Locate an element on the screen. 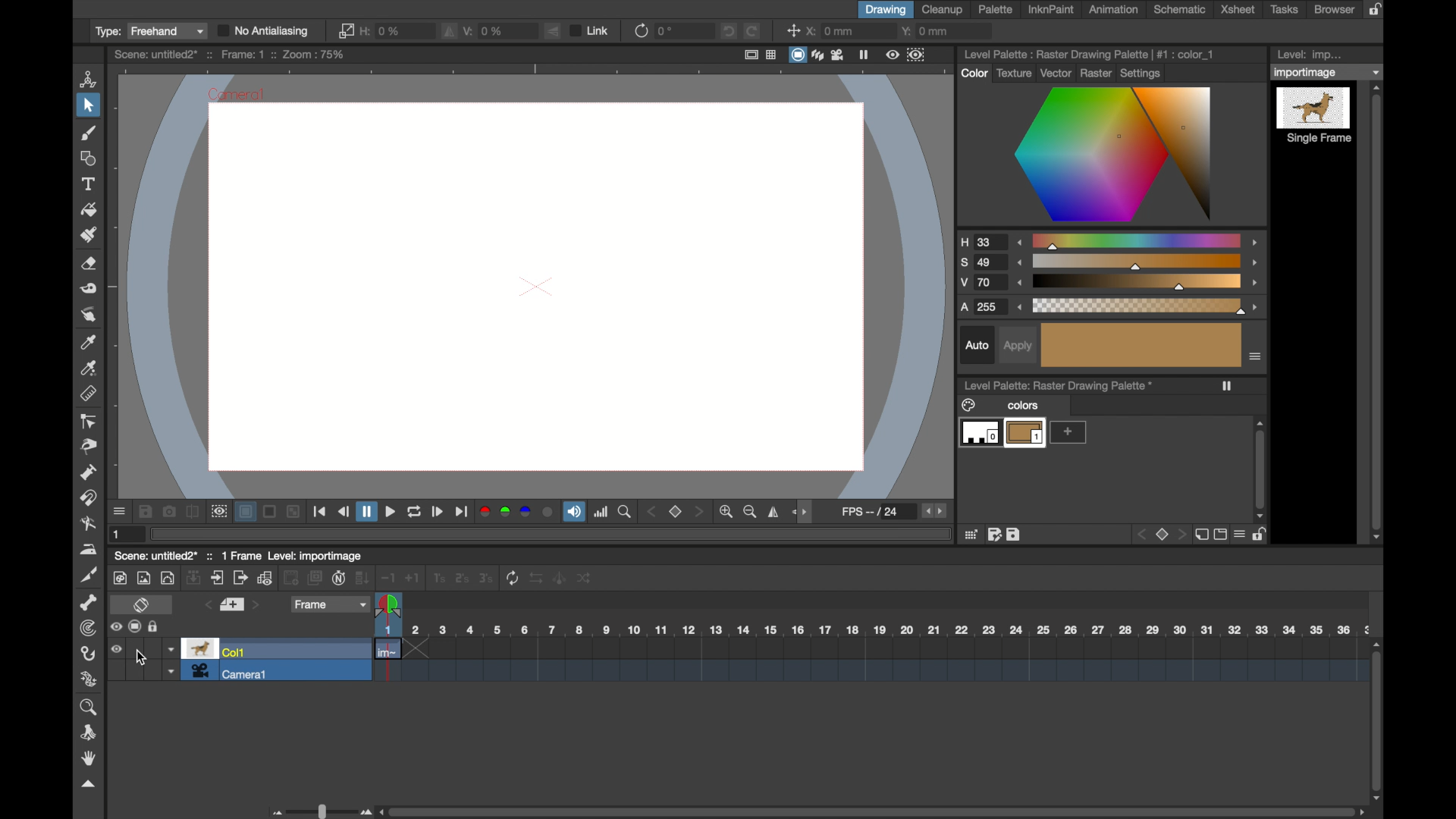 The height and width of the screenshot is (819, 1456). pause is located at coordinates (367, 512).